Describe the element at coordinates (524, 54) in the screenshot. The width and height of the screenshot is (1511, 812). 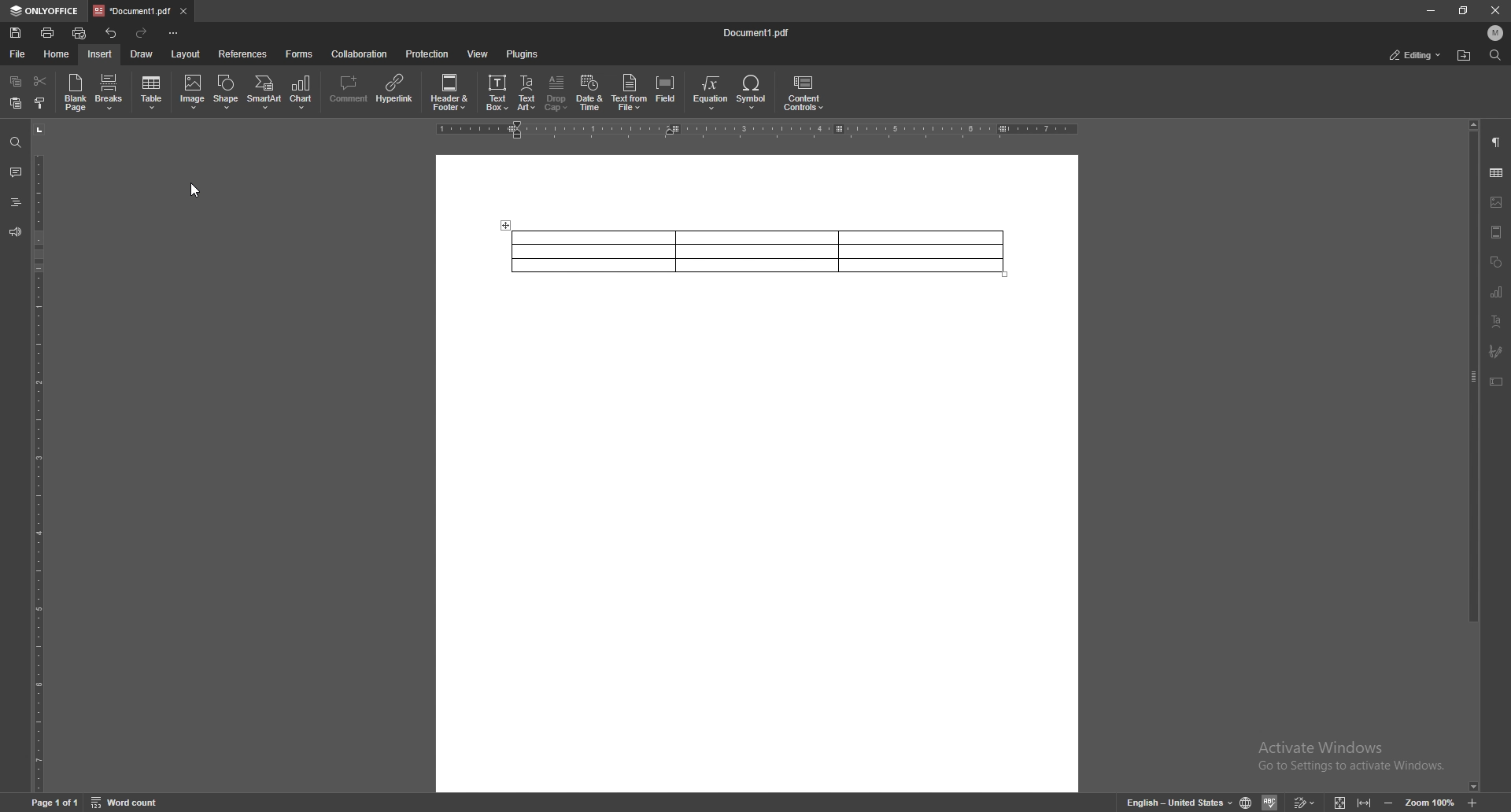
I see `plugins` at that location.